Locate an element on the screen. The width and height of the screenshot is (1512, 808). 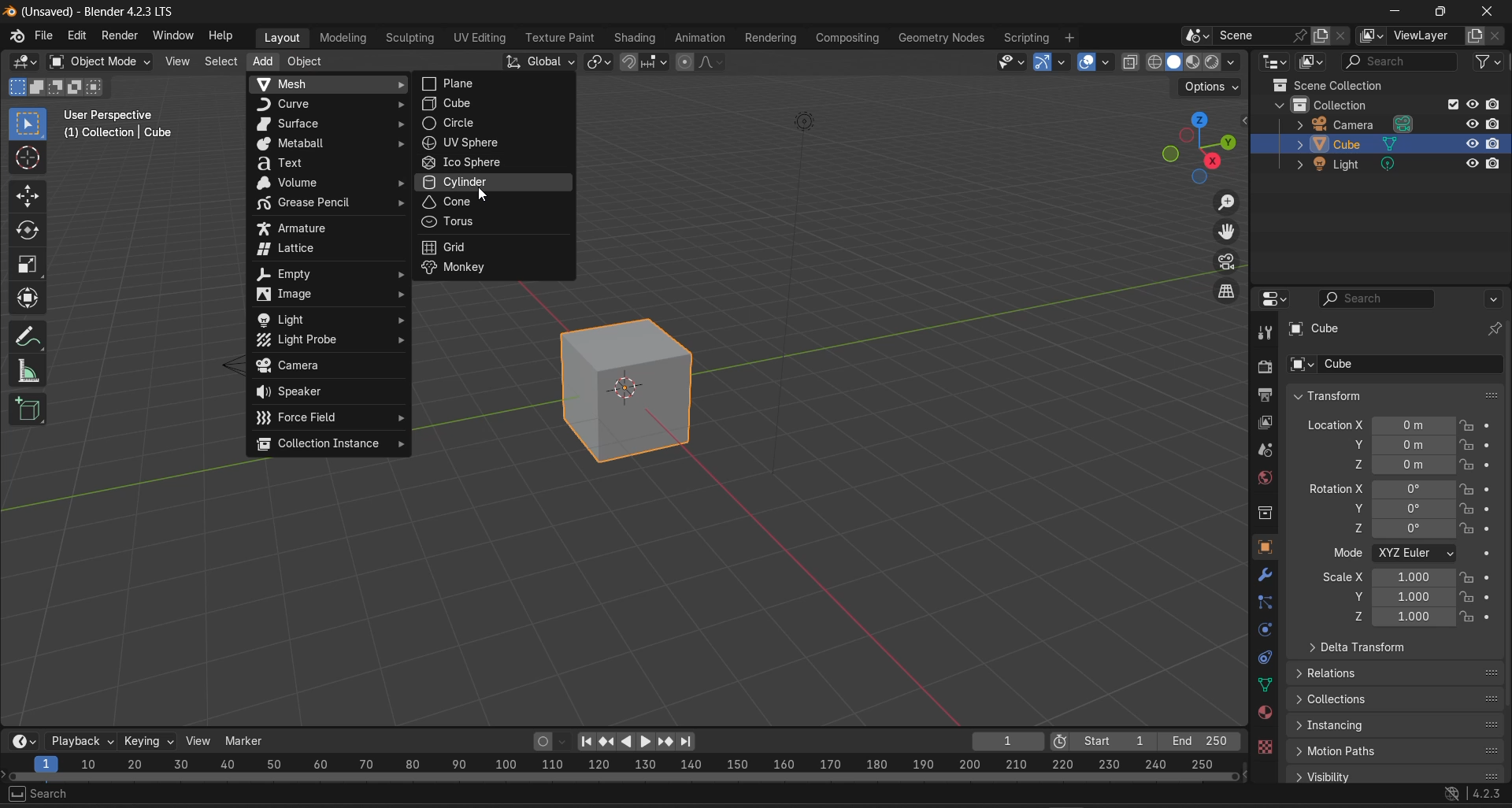
animate property is located at coordinates (1490, 444).